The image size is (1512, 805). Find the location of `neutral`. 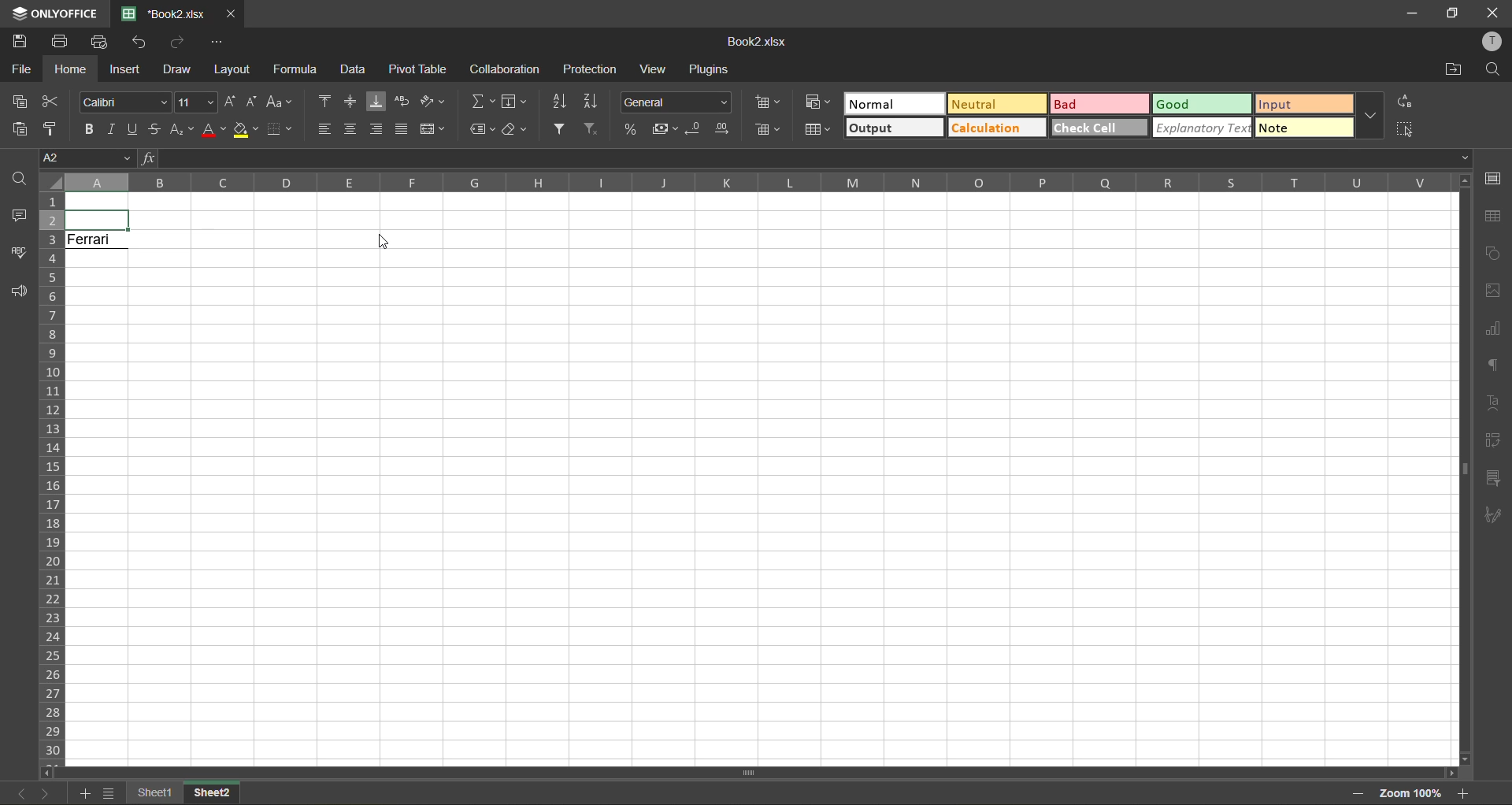

neutral is located at coordinates (993, 106).